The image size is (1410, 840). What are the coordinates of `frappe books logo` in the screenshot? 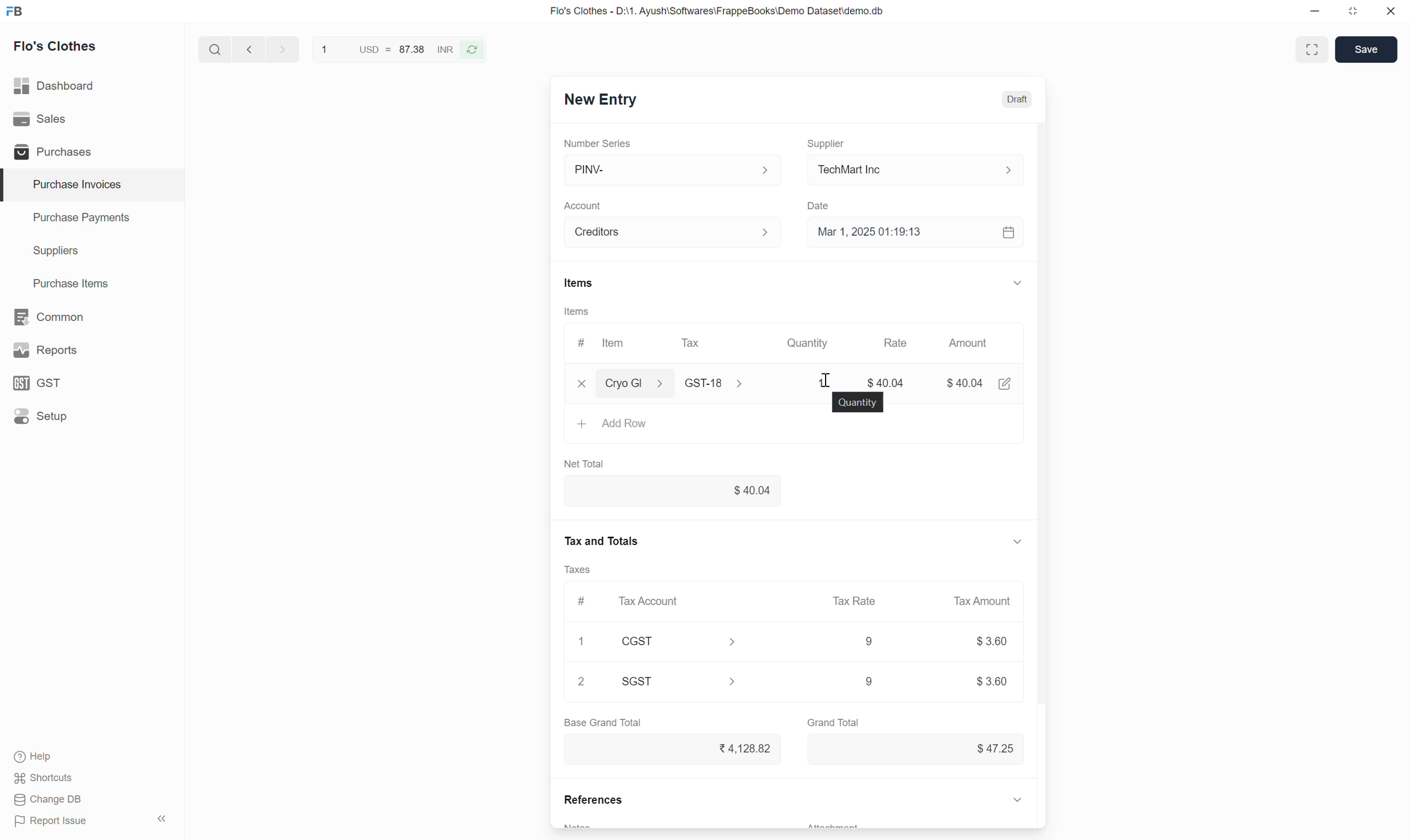 It's located at (17, 11).